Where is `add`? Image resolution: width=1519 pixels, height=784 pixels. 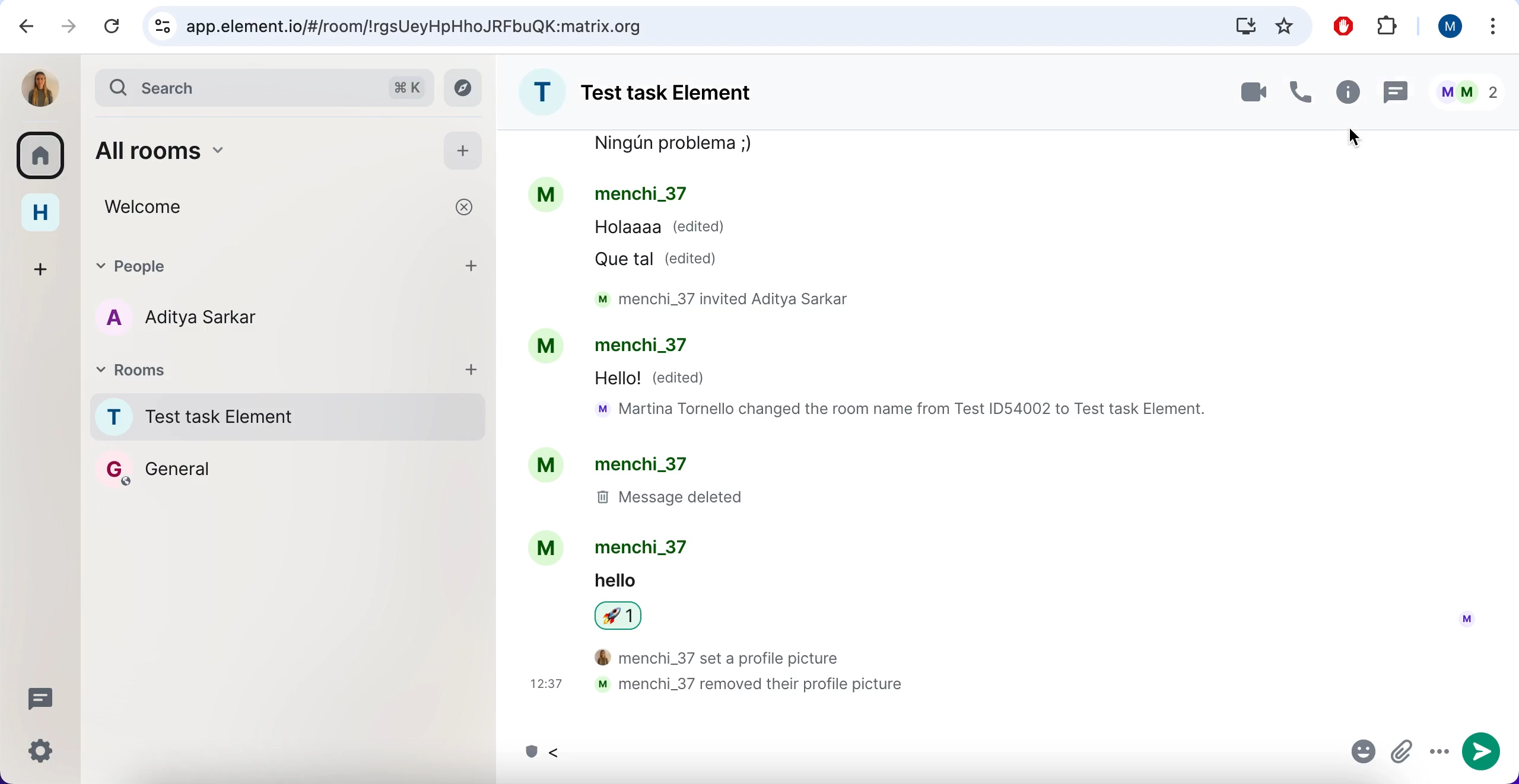
add is located at coordinates (475, 267).